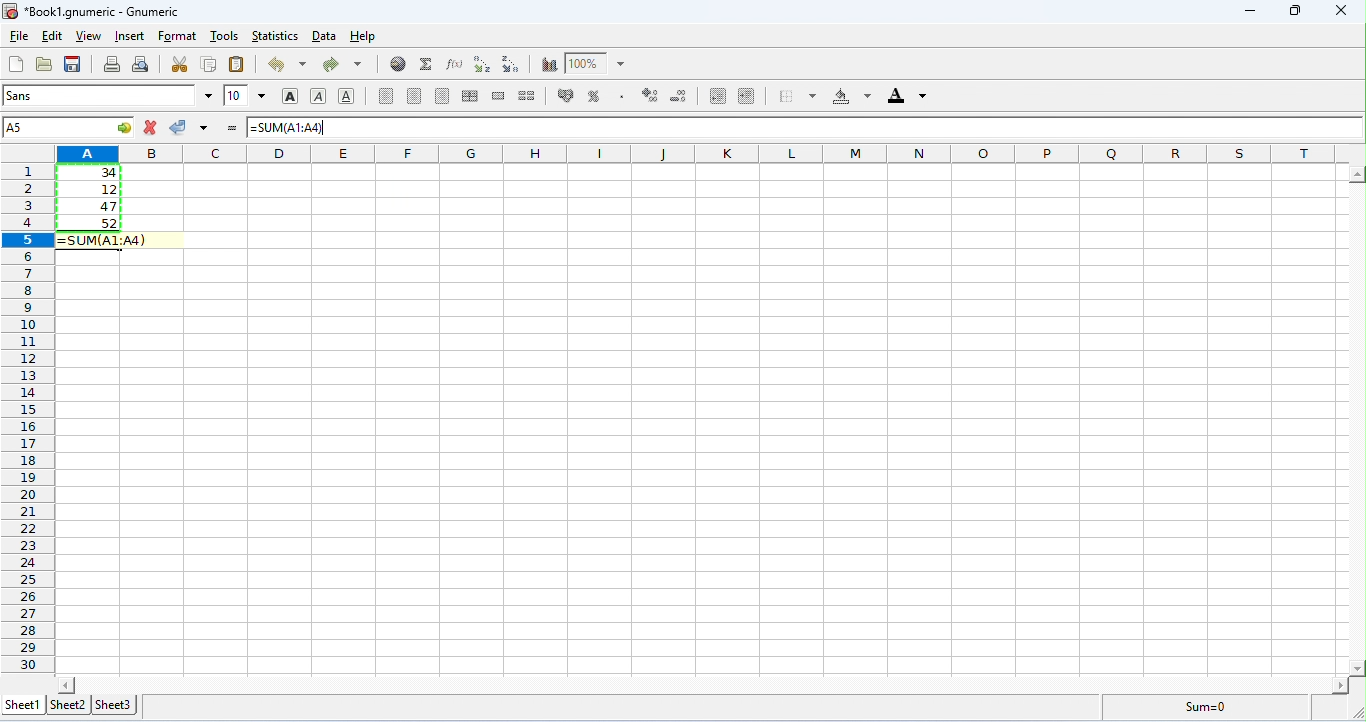 This screenshot has width=1366, height=722. Describe the element at coordinates (274, 36) in the screenshot. I see `statistics` at that location.